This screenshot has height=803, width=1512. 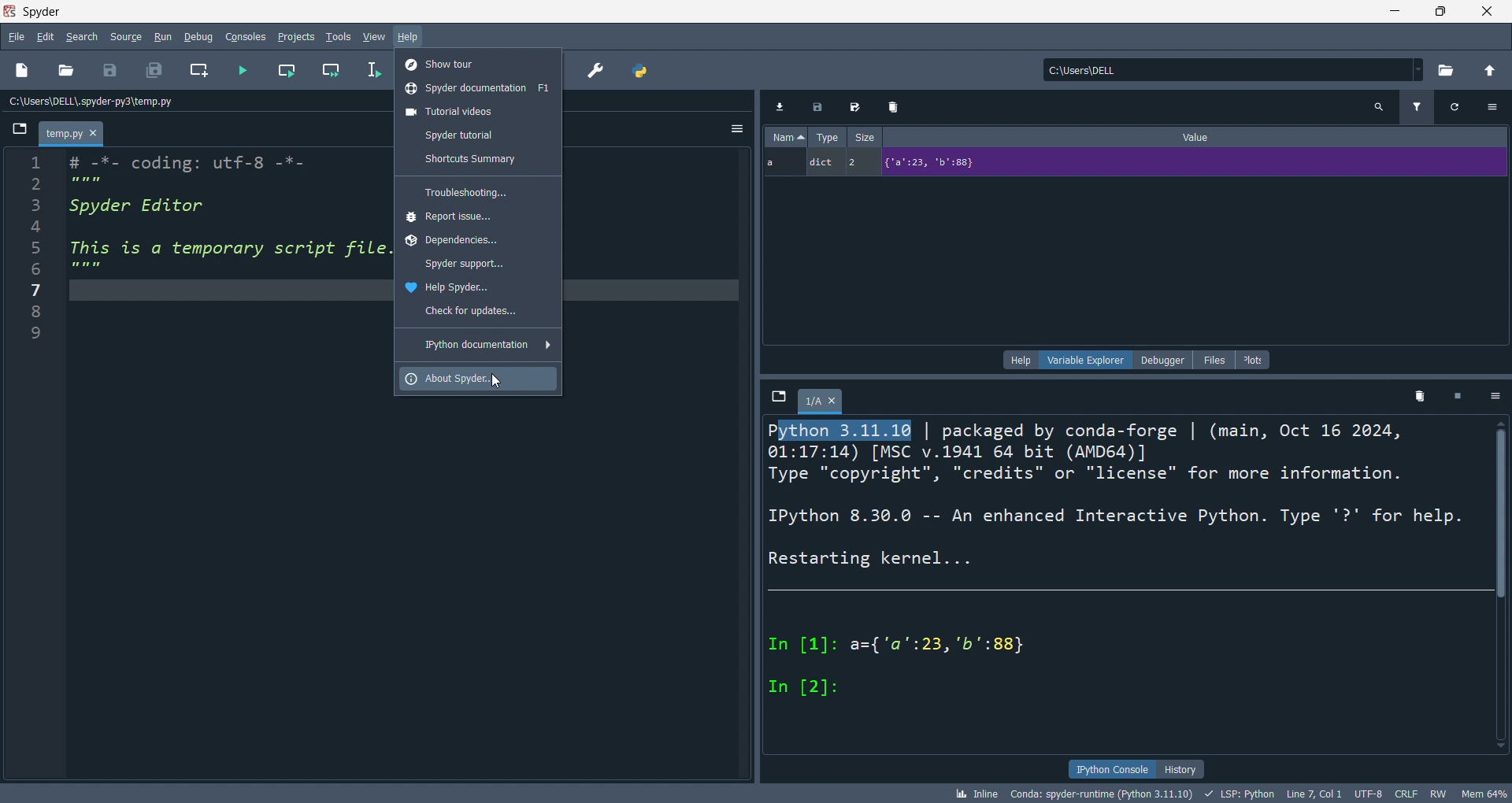 I want to click on Python 3:11:16 | packaged by conda-forge | (main, Oct 16 2024,01:17:14) [MSC v.1941 64 bit (AMD64)]Type "copyright", "credits" or "license" for more information.IPython 8.30.0 -- An enhanced Interactive Python. Type '?' for help.Restarting kernel...In [1]: a={'a":23, 'b':88}In [2]:, so click(x=1116, y=559).